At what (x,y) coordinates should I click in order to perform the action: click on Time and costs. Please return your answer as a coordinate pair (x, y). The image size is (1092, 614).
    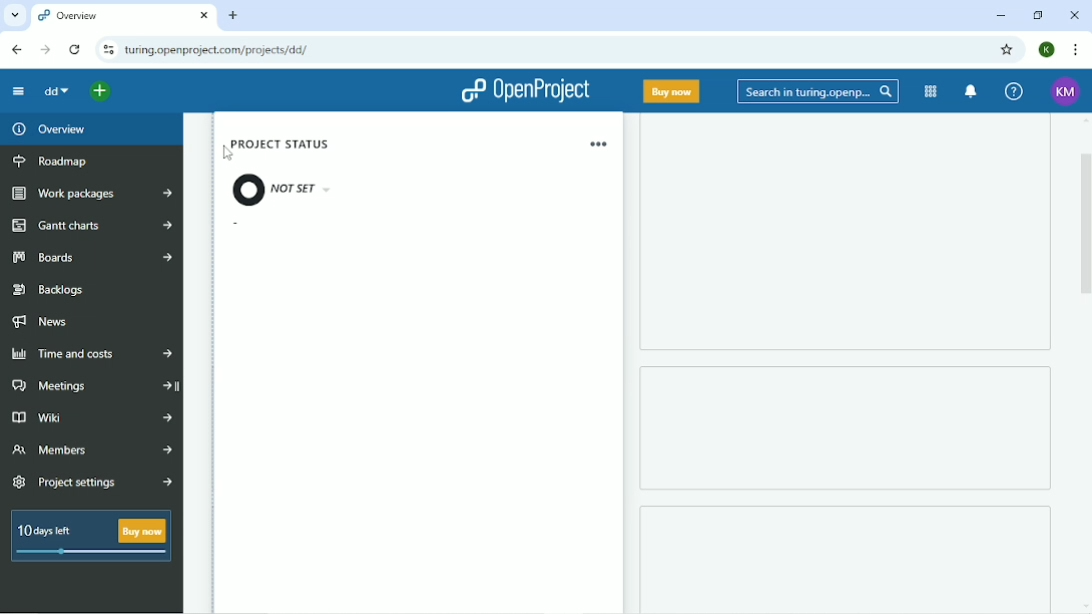
    Looking at the image, I should click on (92, 352).